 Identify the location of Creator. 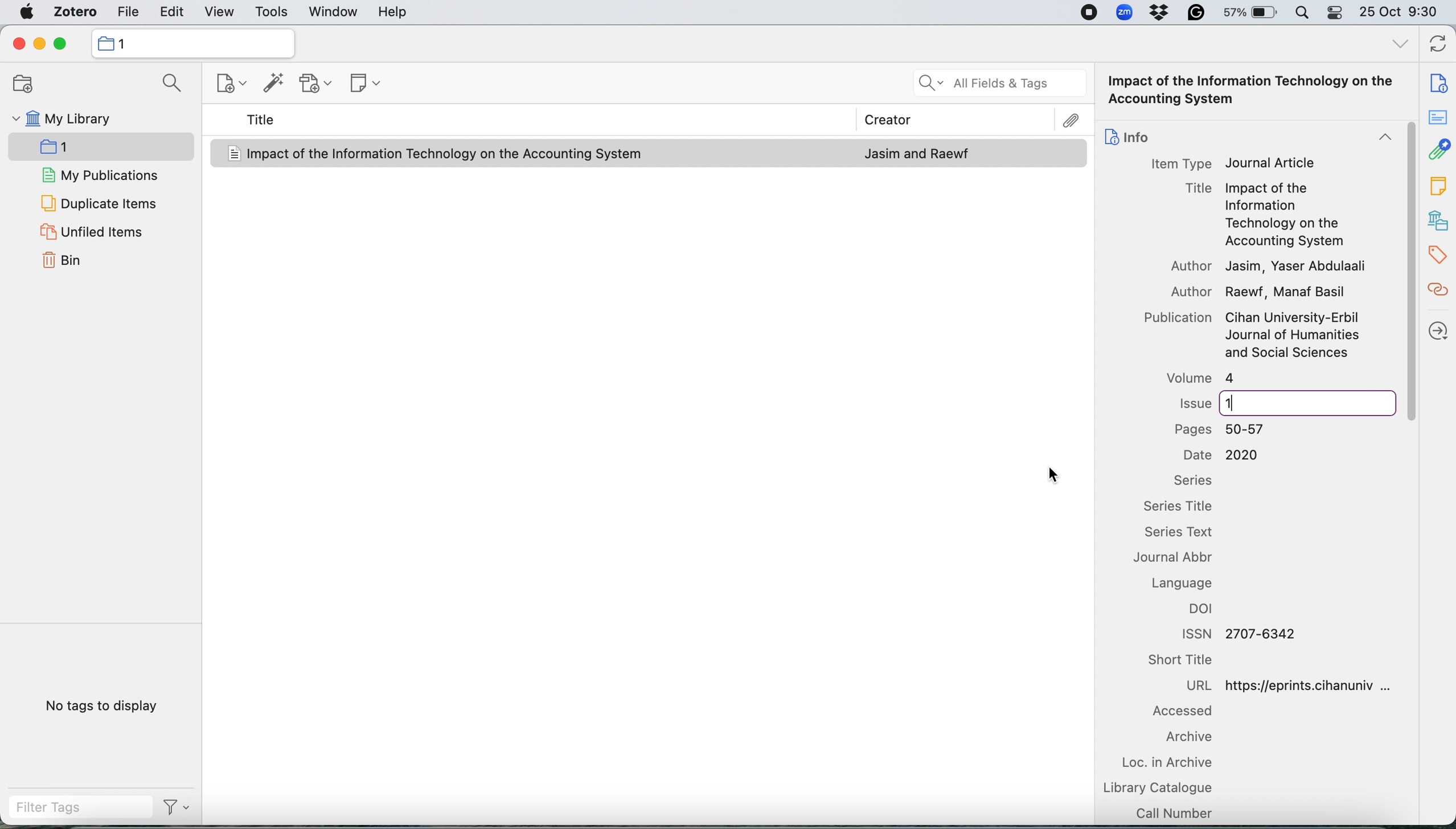
(883, 117).